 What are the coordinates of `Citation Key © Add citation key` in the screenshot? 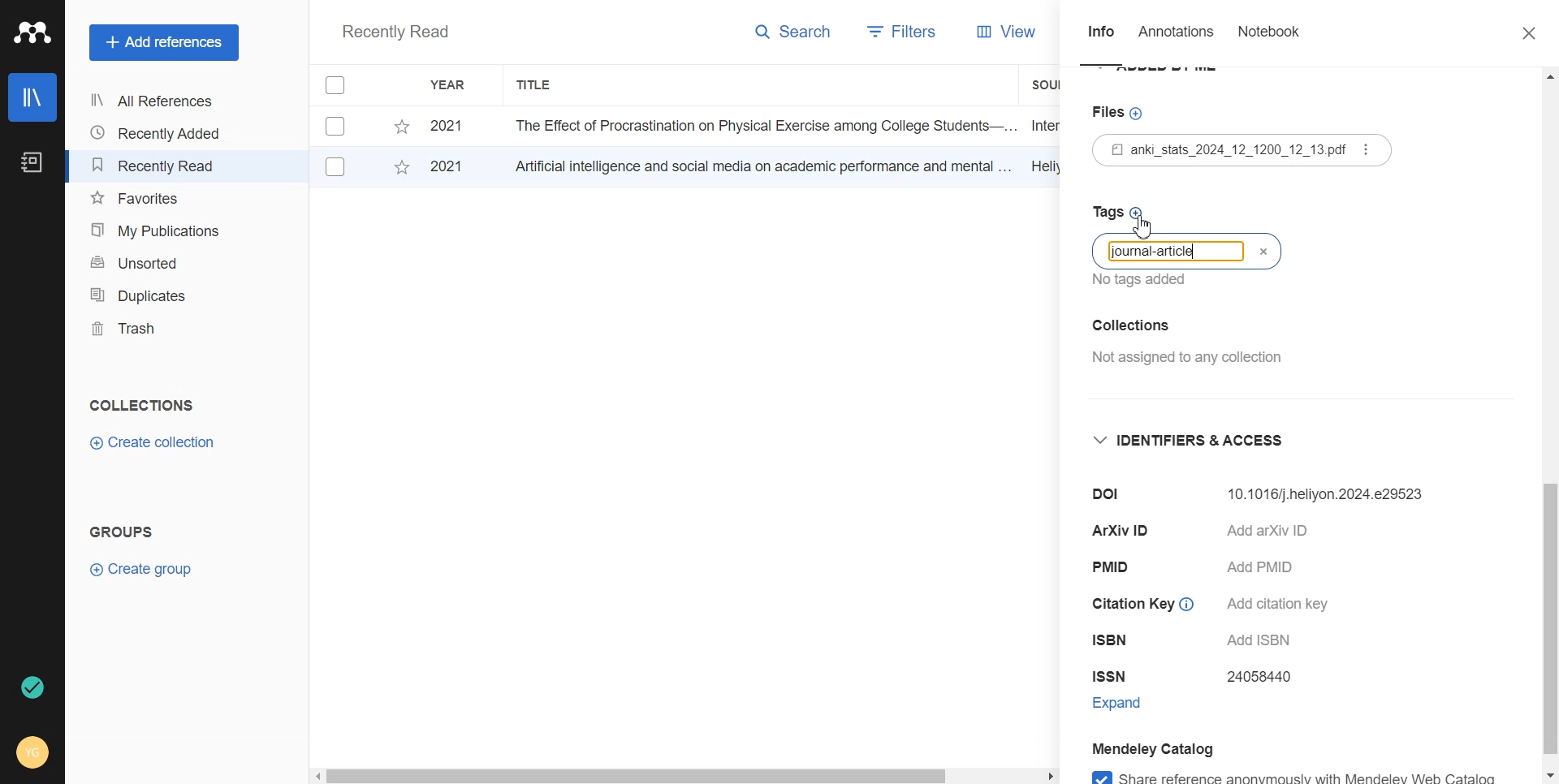 It's located at (1217, 604).